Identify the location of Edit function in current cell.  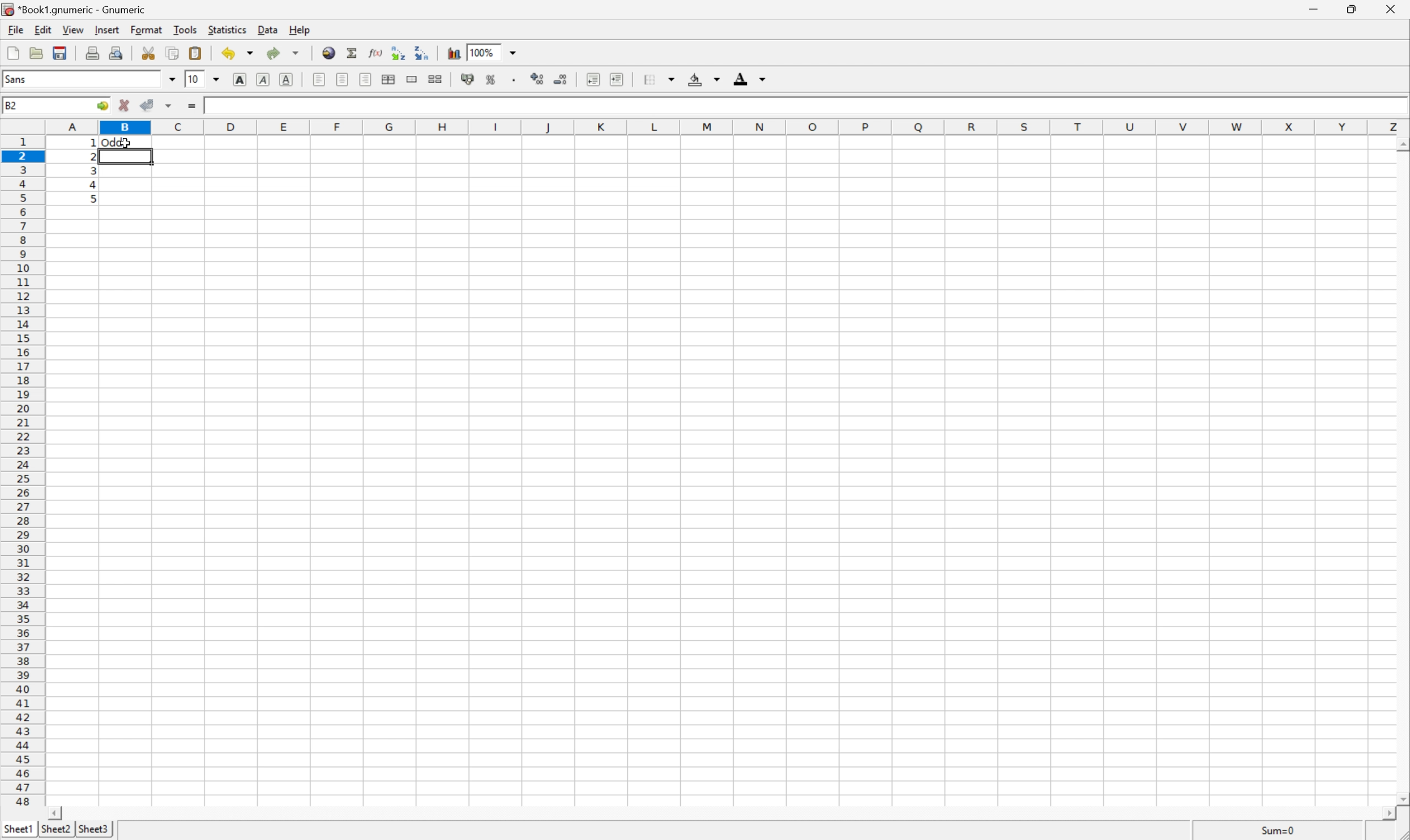
(375, 54).